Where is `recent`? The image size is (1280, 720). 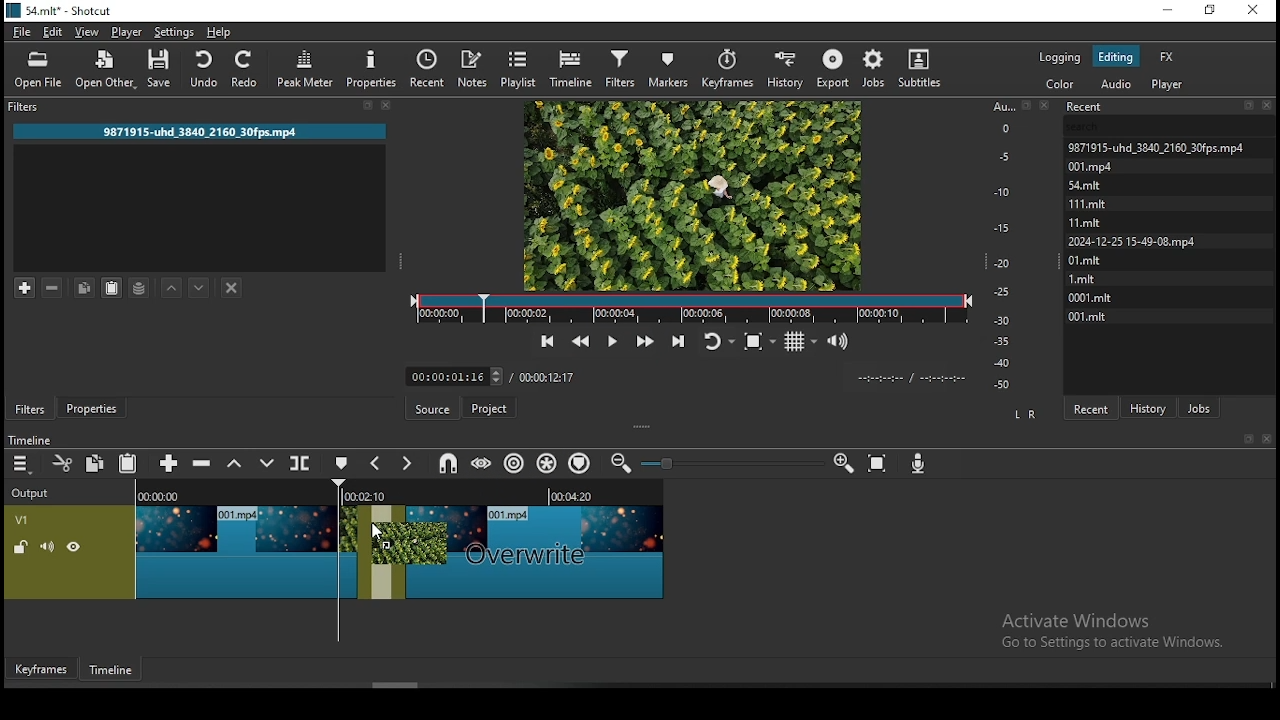 recent is located at coordinates (1089, 408).